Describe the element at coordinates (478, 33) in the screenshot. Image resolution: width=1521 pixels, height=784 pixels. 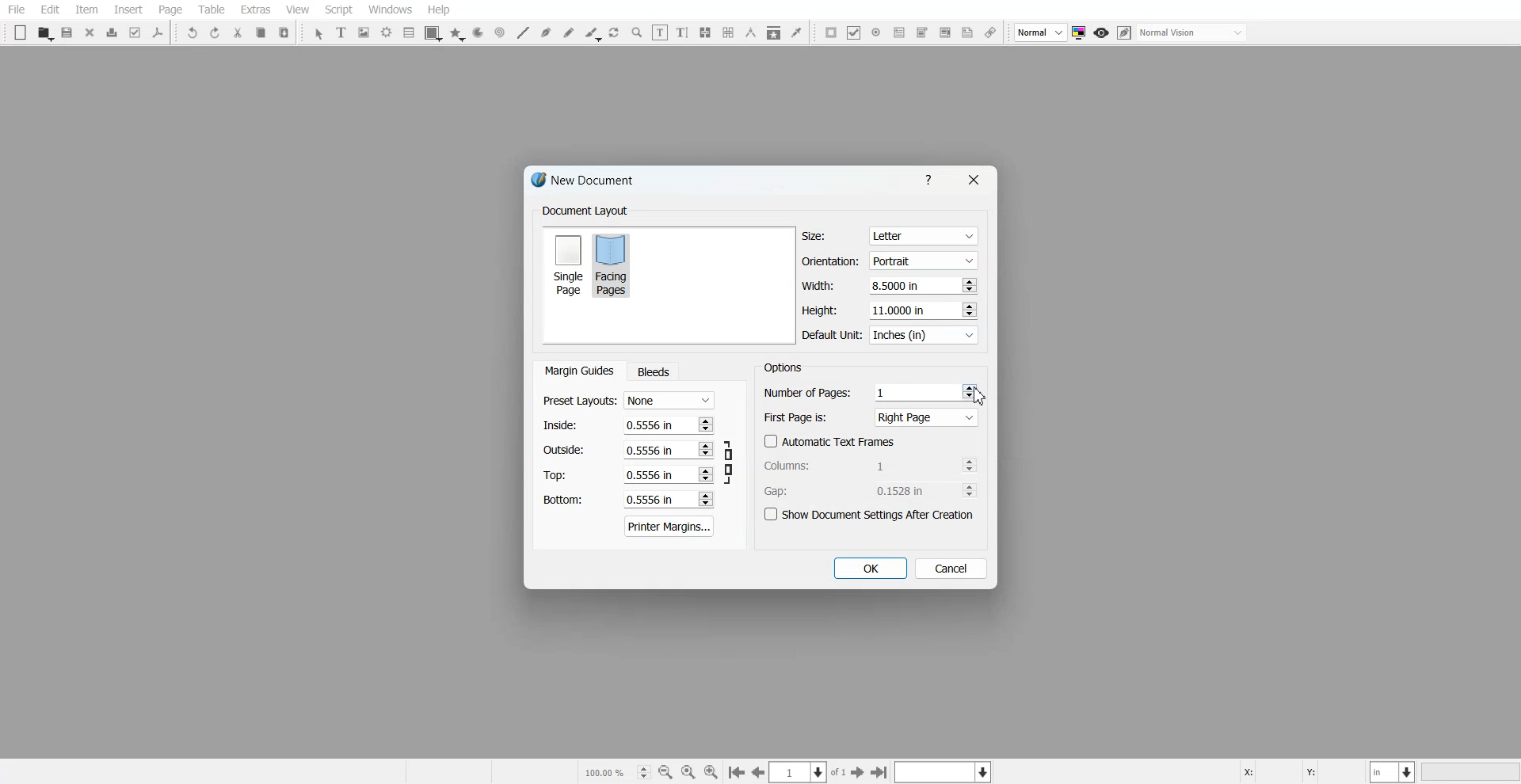
I see `Arc` at that location.